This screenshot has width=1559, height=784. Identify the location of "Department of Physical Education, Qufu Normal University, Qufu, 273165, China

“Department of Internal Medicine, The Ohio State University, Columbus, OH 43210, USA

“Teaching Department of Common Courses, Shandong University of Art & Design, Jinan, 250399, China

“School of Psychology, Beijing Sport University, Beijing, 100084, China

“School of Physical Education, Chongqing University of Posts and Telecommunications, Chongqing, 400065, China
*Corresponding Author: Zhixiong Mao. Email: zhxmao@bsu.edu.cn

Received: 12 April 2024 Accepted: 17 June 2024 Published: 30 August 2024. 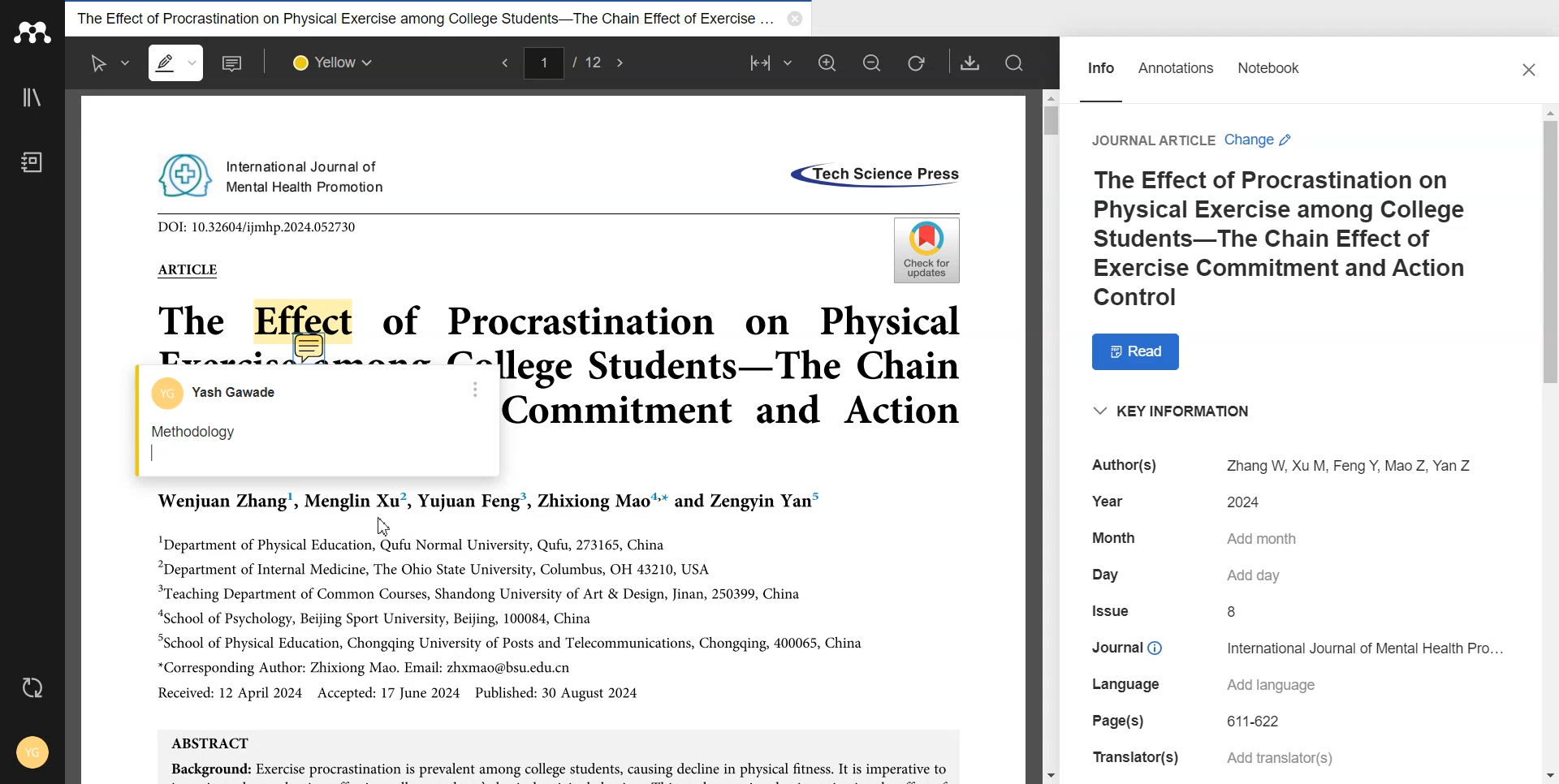
(511, 616).